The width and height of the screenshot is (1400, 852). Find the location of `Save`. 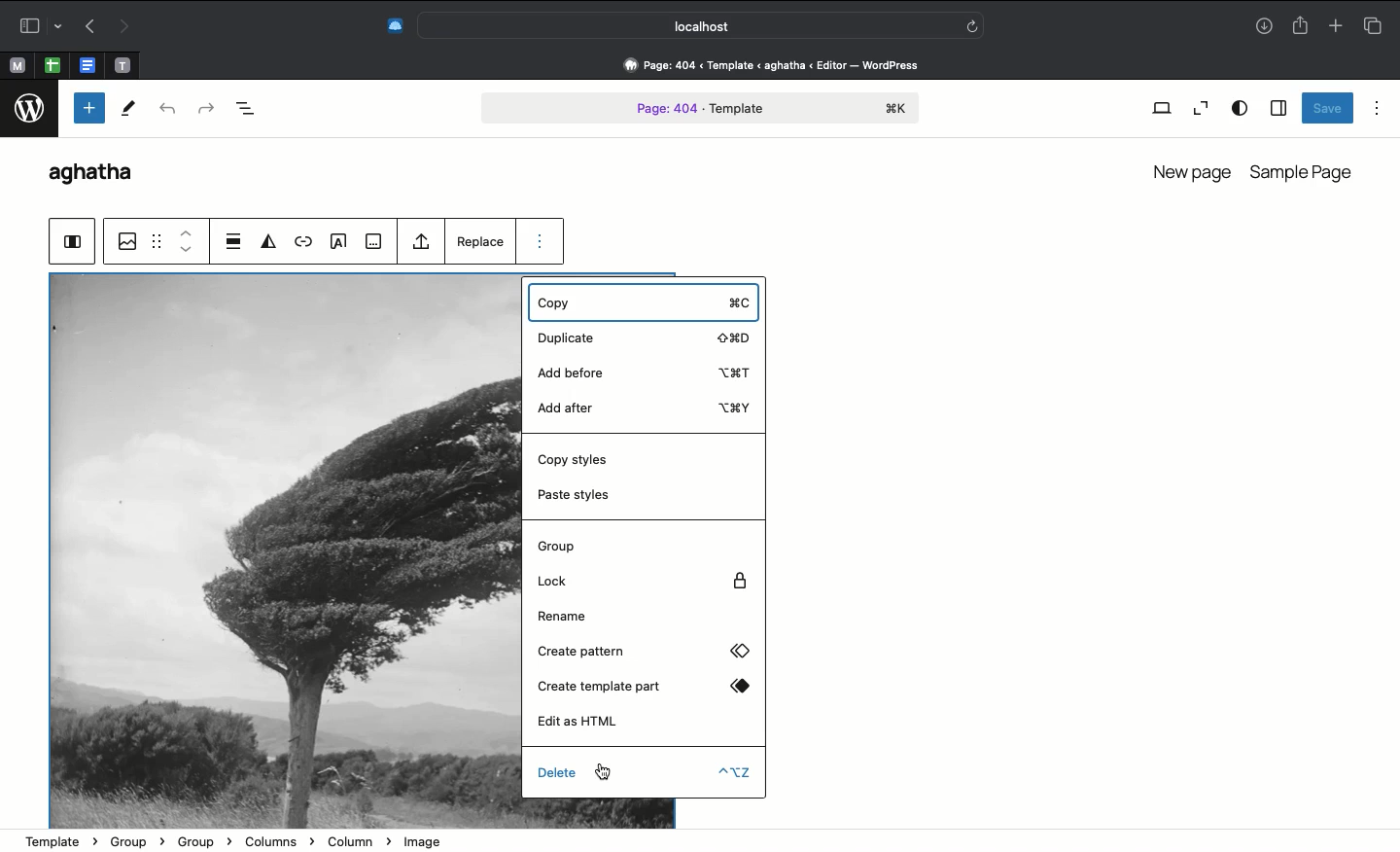

Save is located at coordinates (1328, 108).